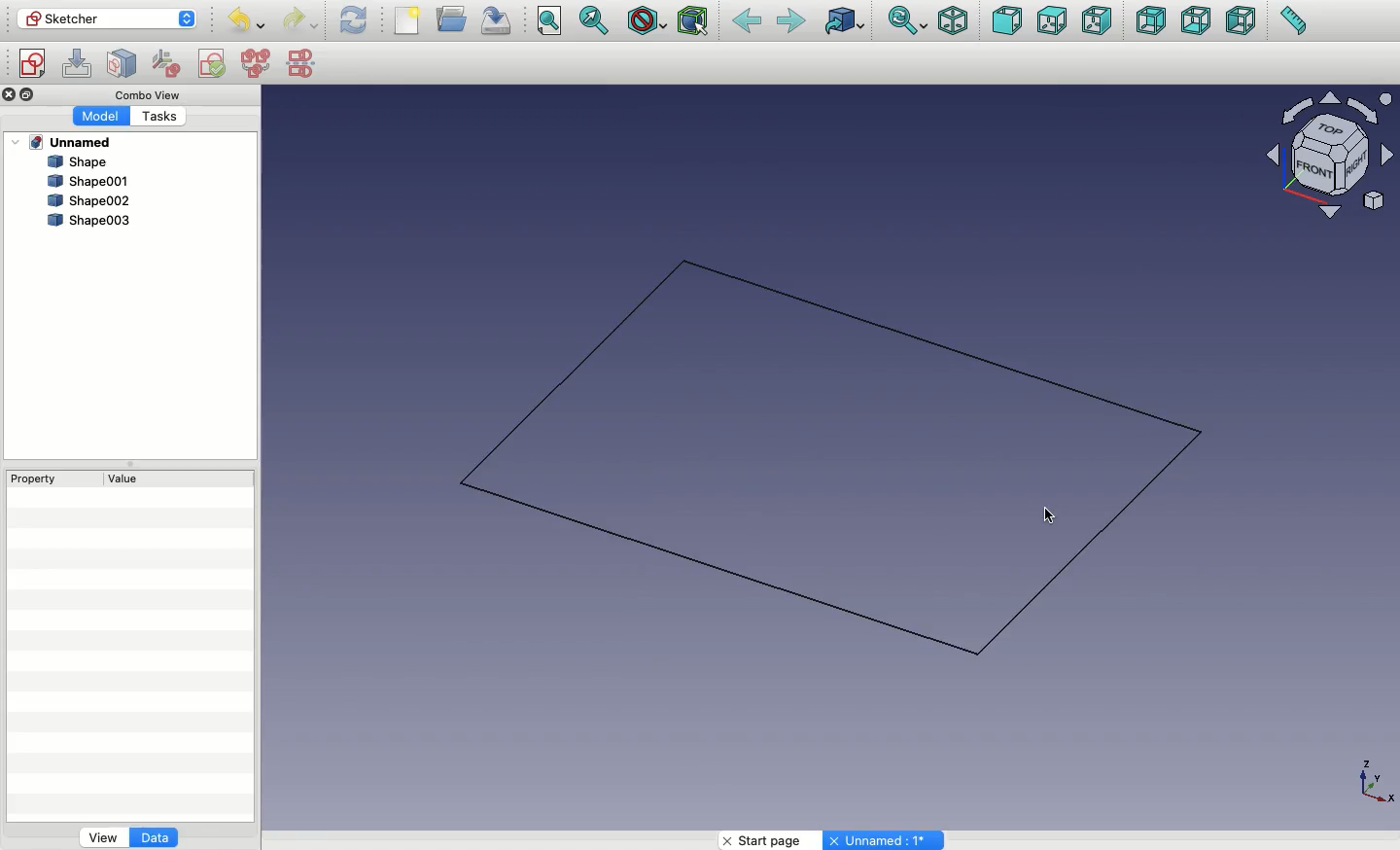 This screenshot has width=1400, height=850. What do you see at coordinates (454, 18) in the screenshot?
I see `Open` at bounding box center [454, 18].